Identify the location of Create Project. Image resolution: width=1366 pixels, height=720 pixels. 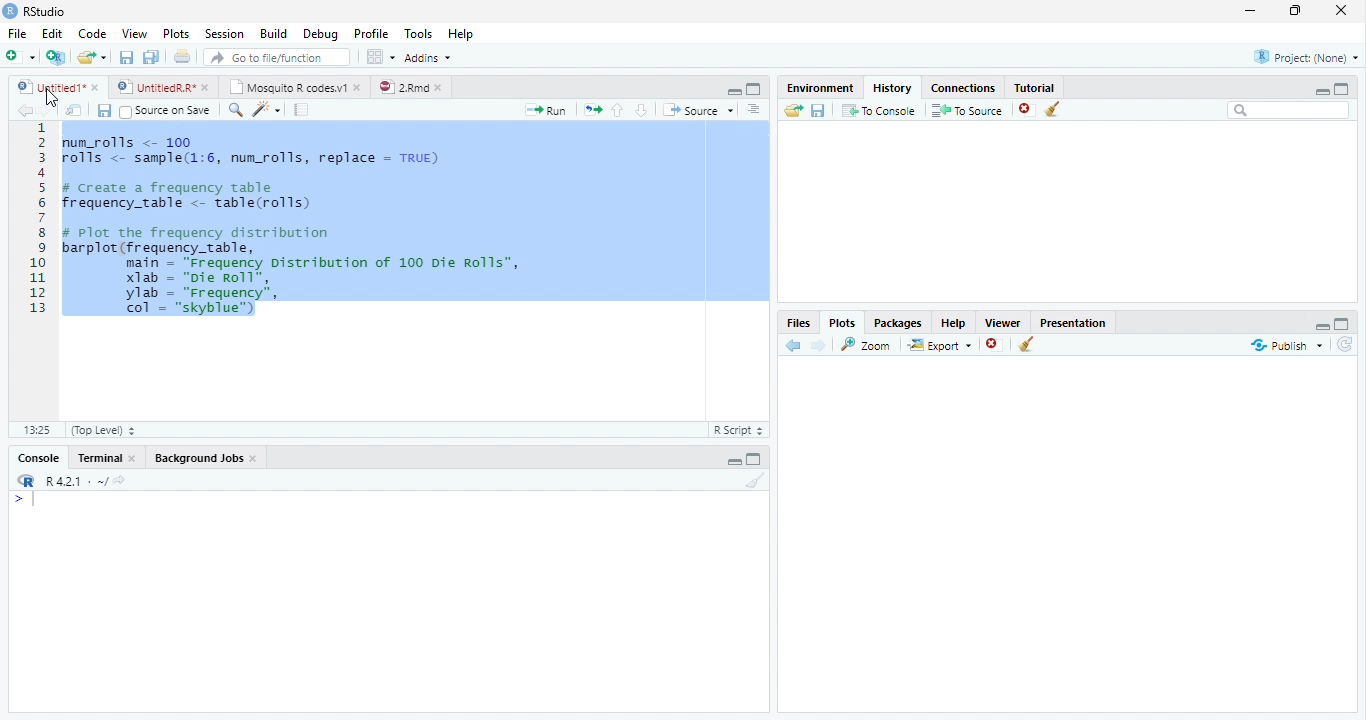
(56, 58).